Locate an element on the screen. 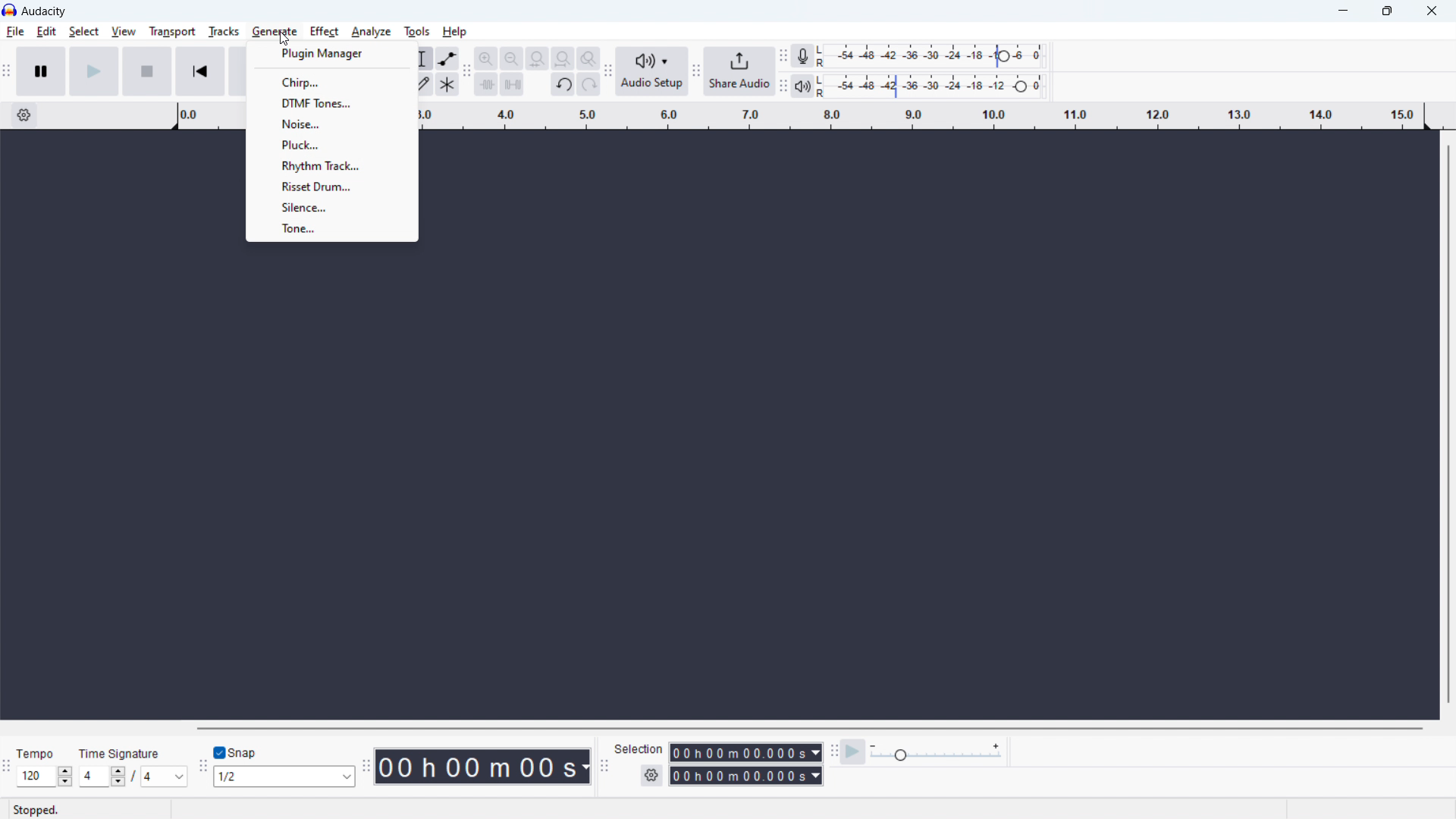 This screenshot has width=1456, height=819. snapping toolbar is located at coordinates (202, 767).